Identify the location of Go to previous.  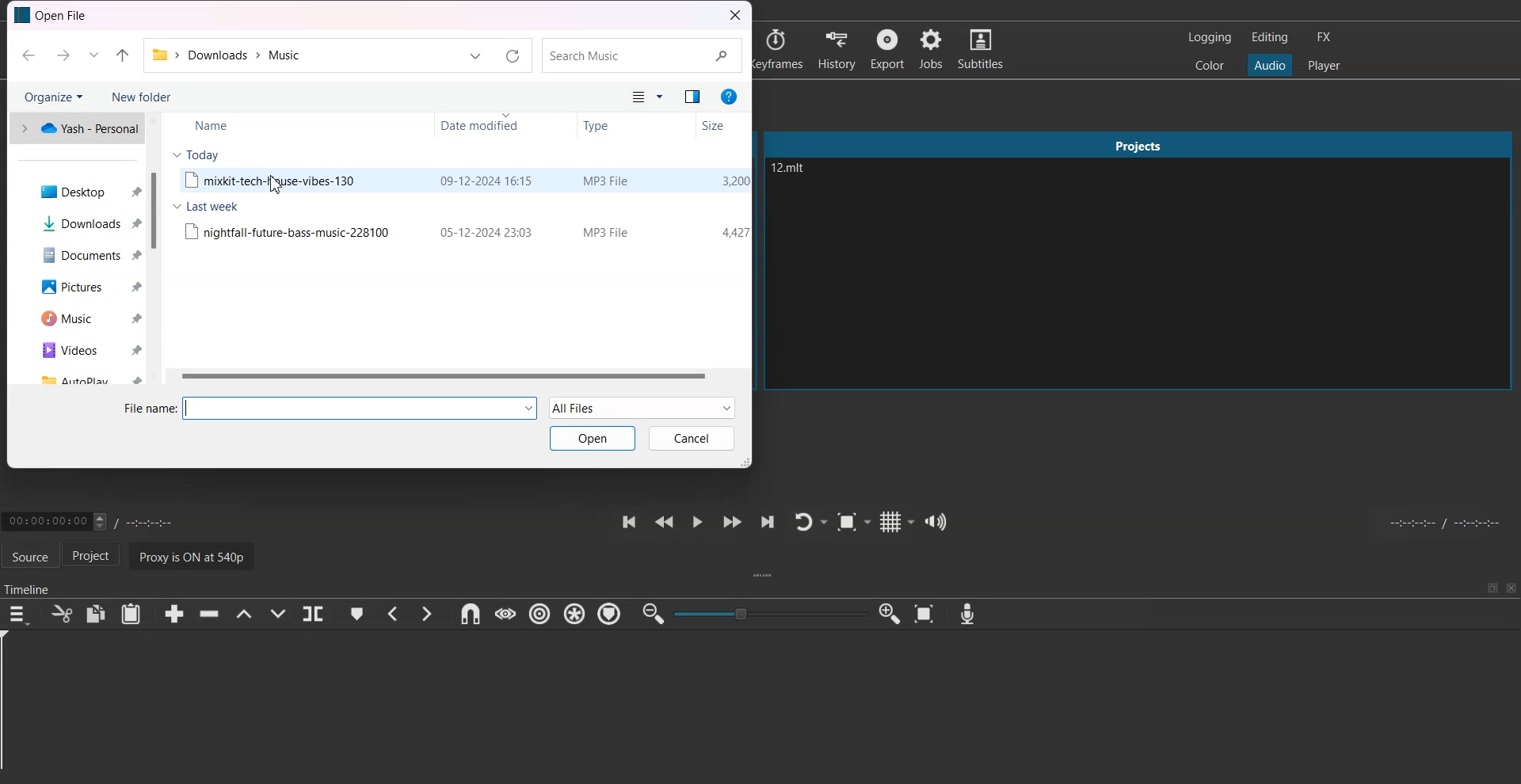
(475, 57).